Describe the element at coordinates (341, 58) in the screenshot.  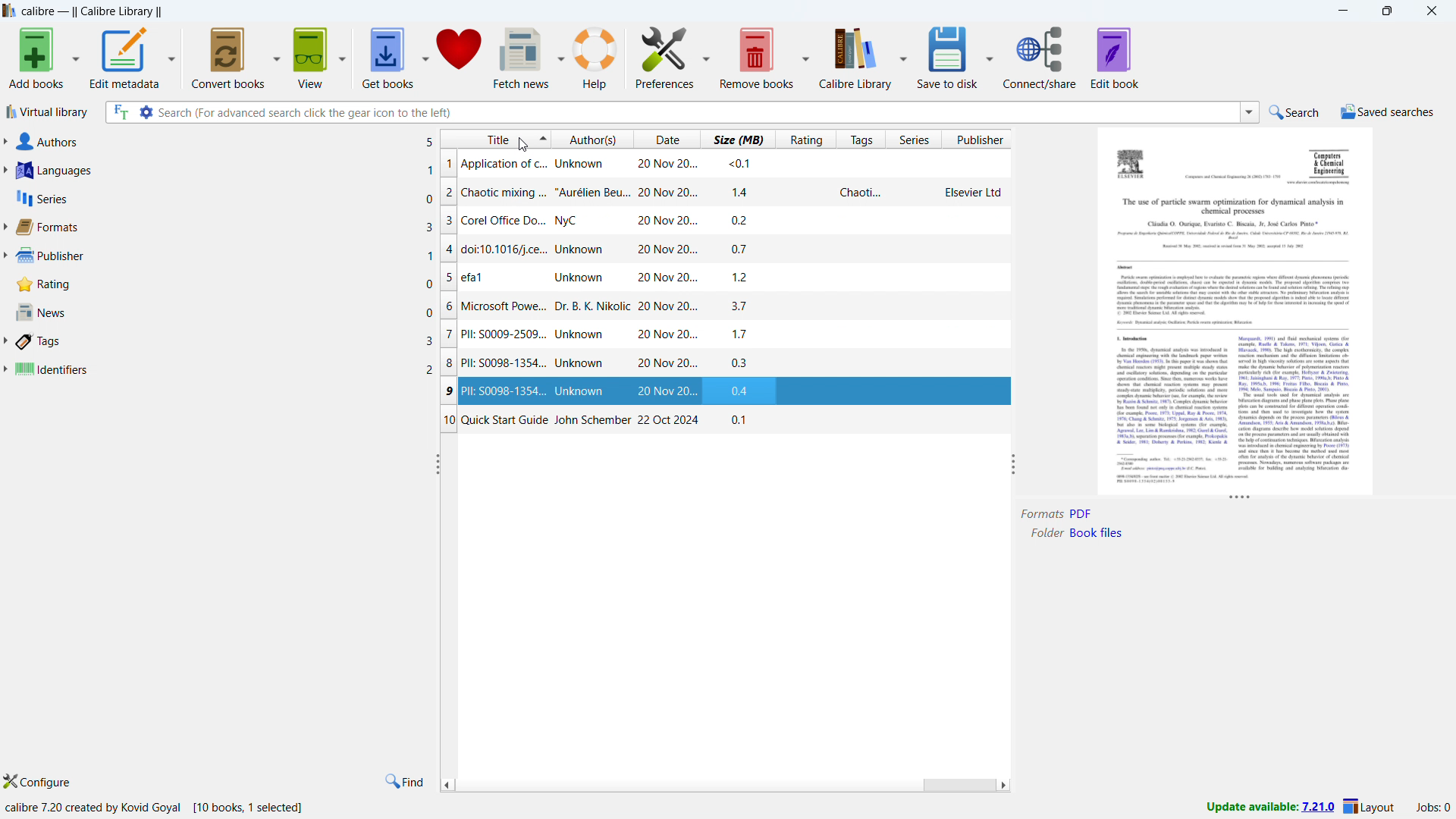
I see `view options` at that location.